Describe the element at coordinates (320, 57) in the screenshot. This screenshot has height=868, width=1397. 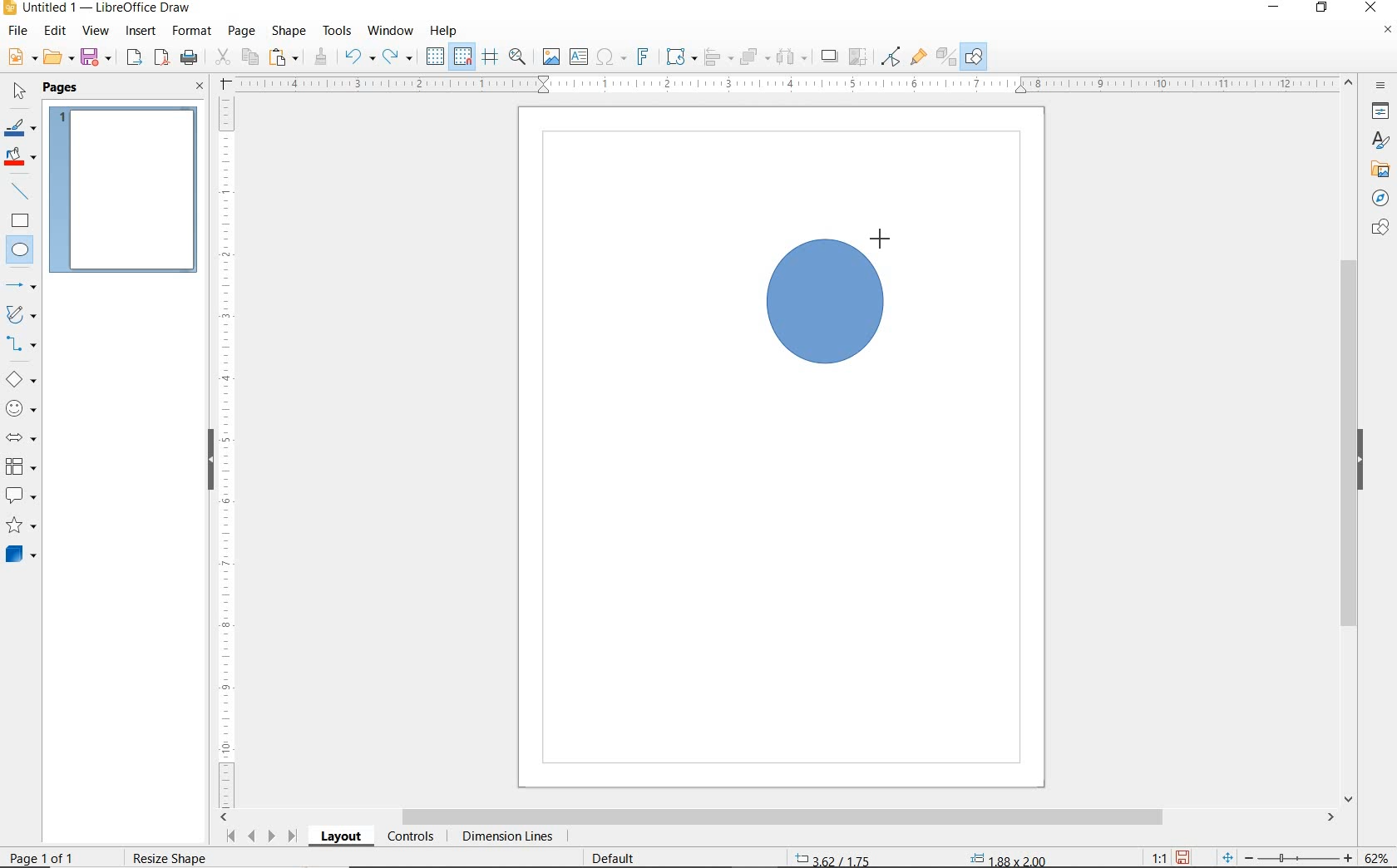
I see `CLONE FORMATTING` at that location.